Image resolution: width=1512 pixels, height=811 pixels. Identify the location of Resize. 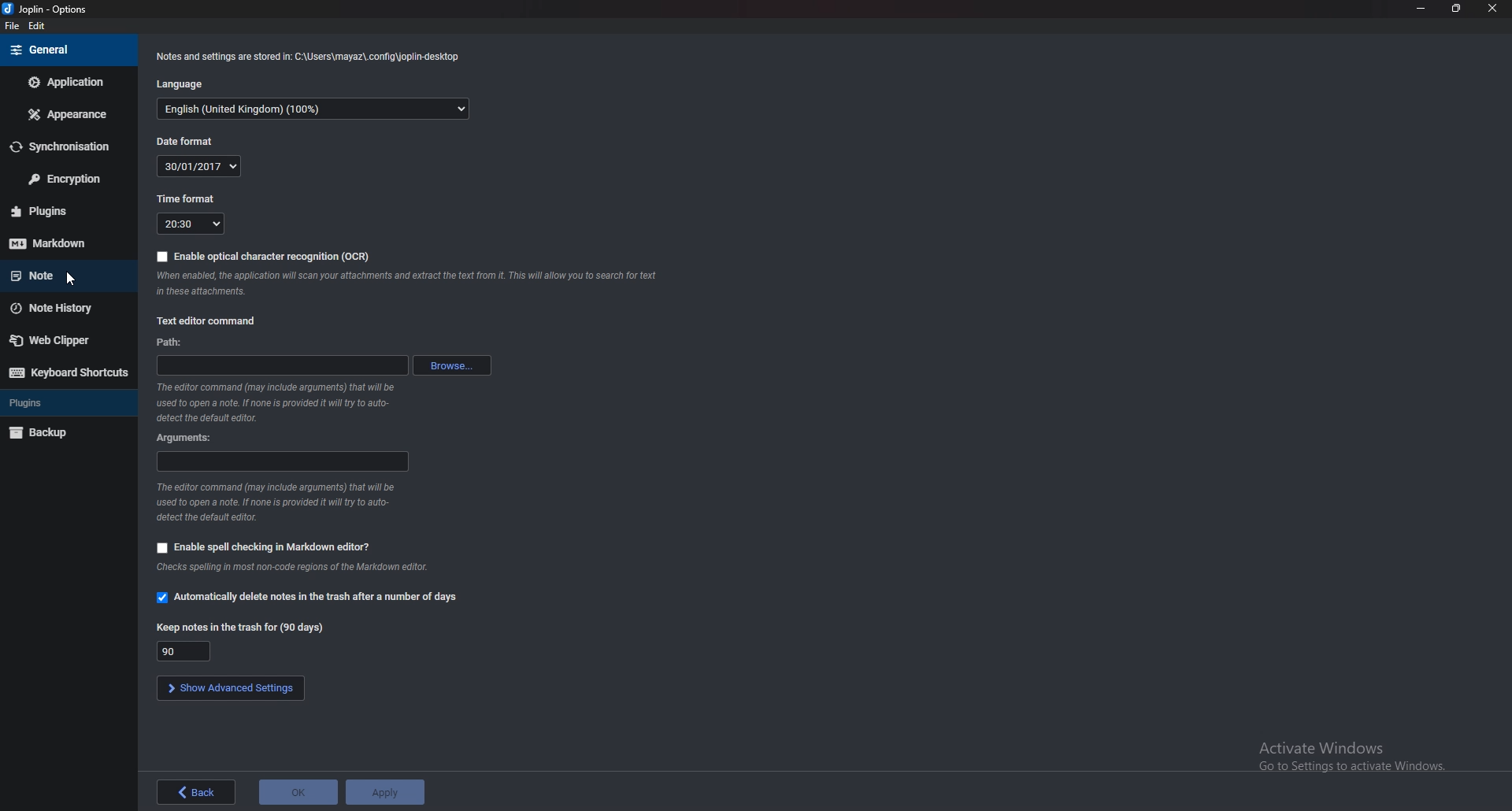
(1456, 9).